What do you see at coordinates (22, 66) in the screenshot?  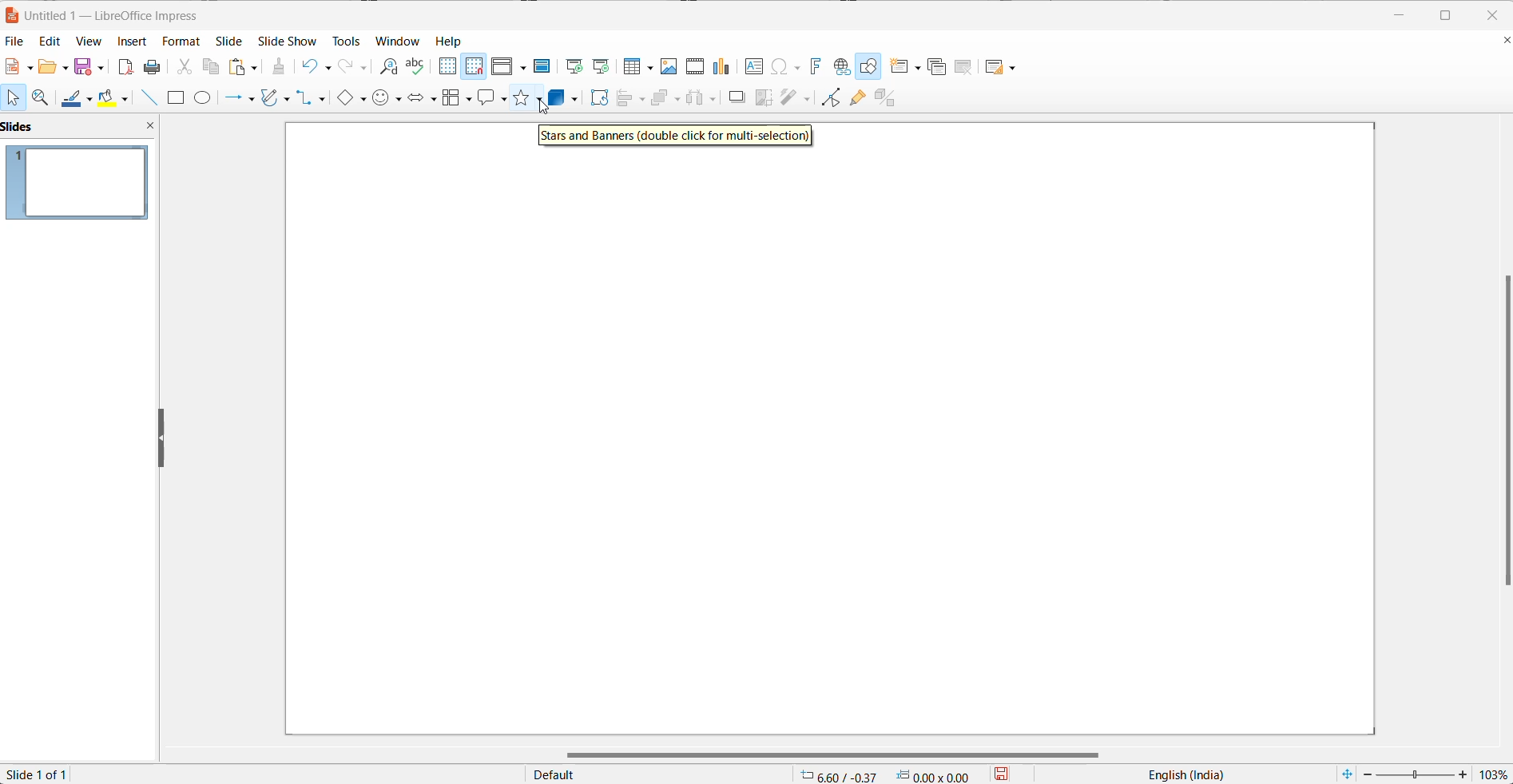 I see `new file` at bounding box center [22, 66].